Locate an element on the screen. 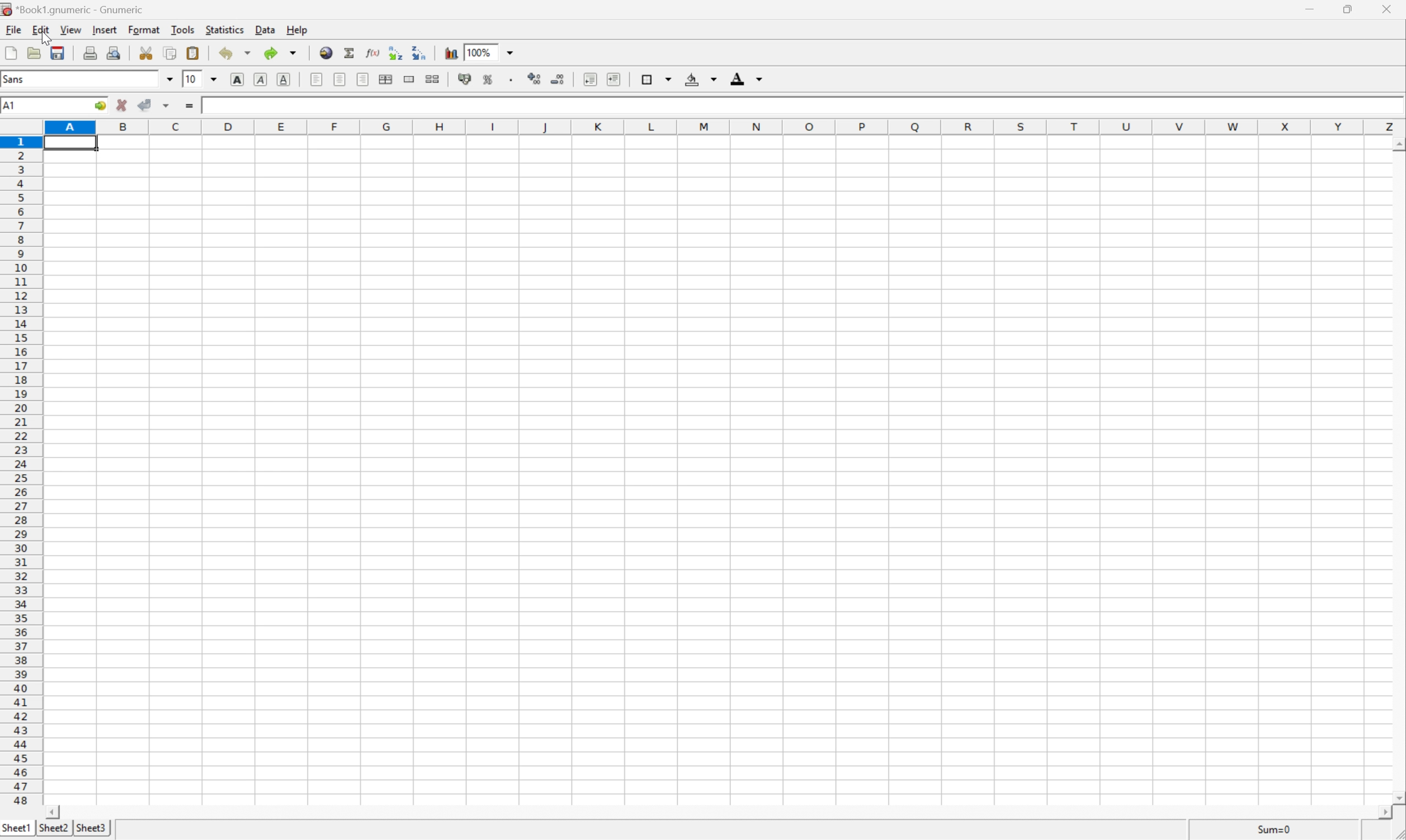 This screenshot has width=1406, height=840. format is located at coordinates (143, 30).